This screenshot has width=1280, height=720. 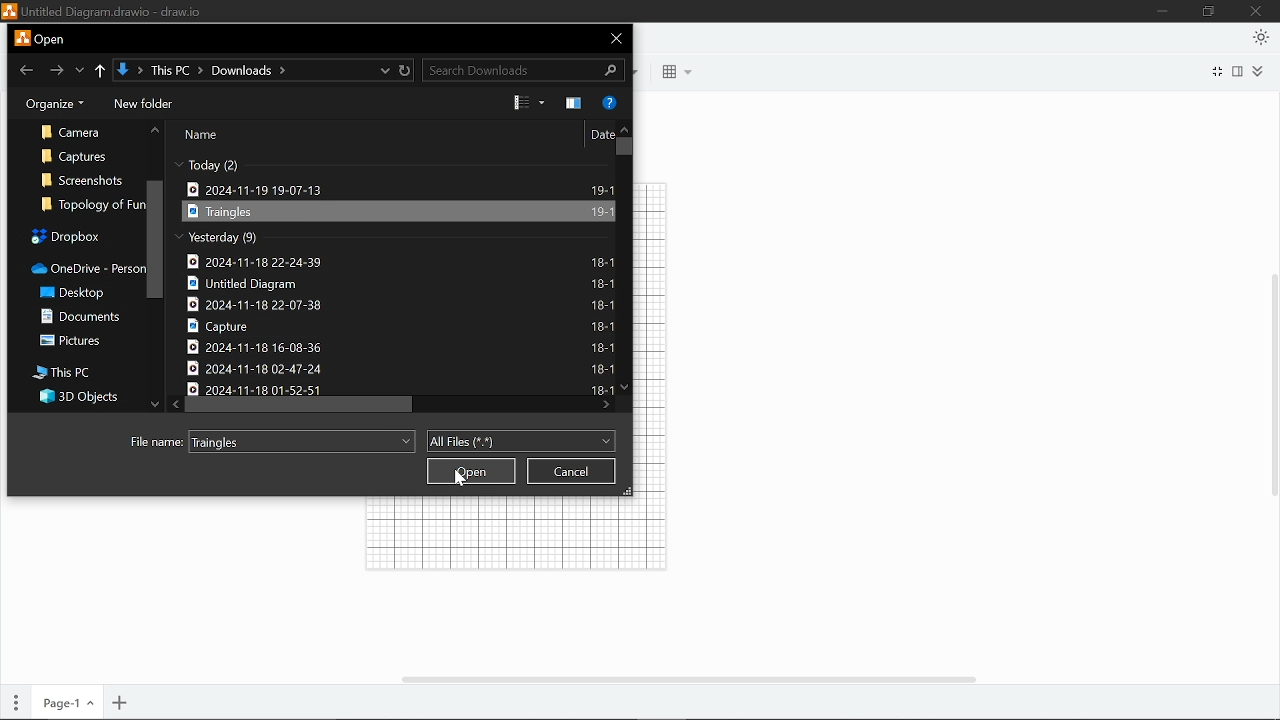 What do you see at coordinates (500, 536) in the screenshot?
I see `Grid lines` at bounding box center [500, 536].